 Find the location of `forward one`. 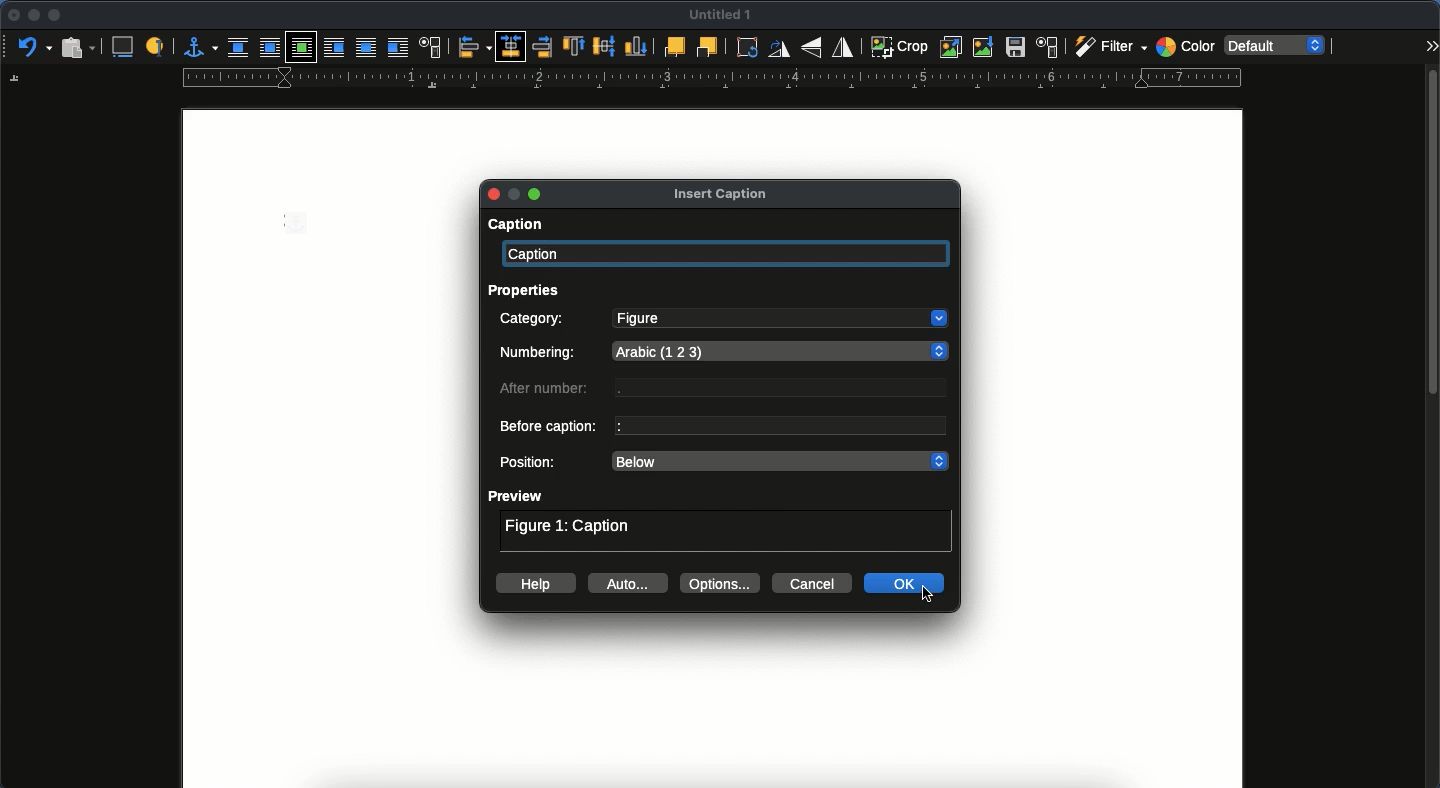

forward one is located at coordinates (673, 48).